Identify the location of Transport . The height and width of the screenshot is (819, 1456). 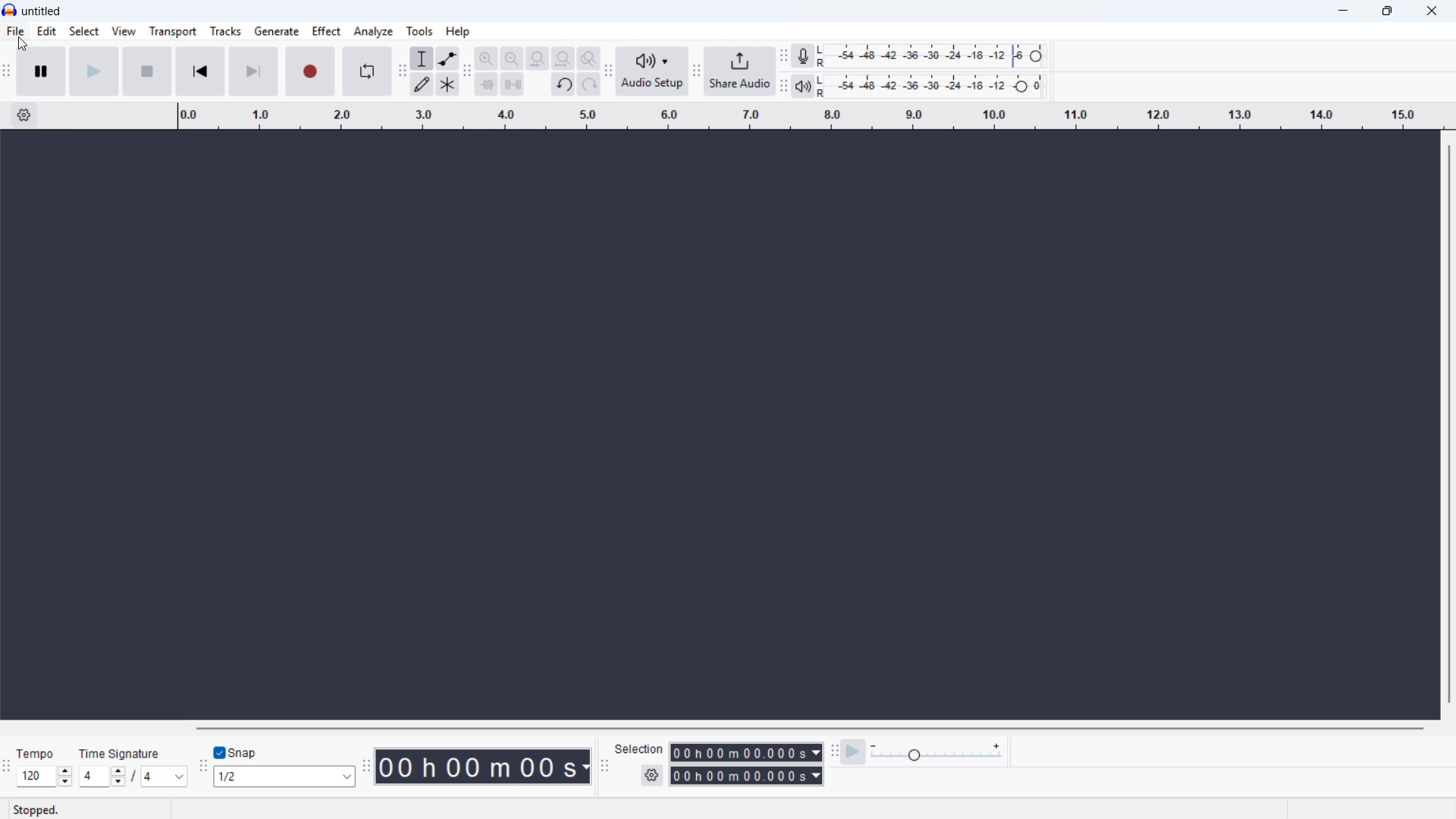
(172, 32).